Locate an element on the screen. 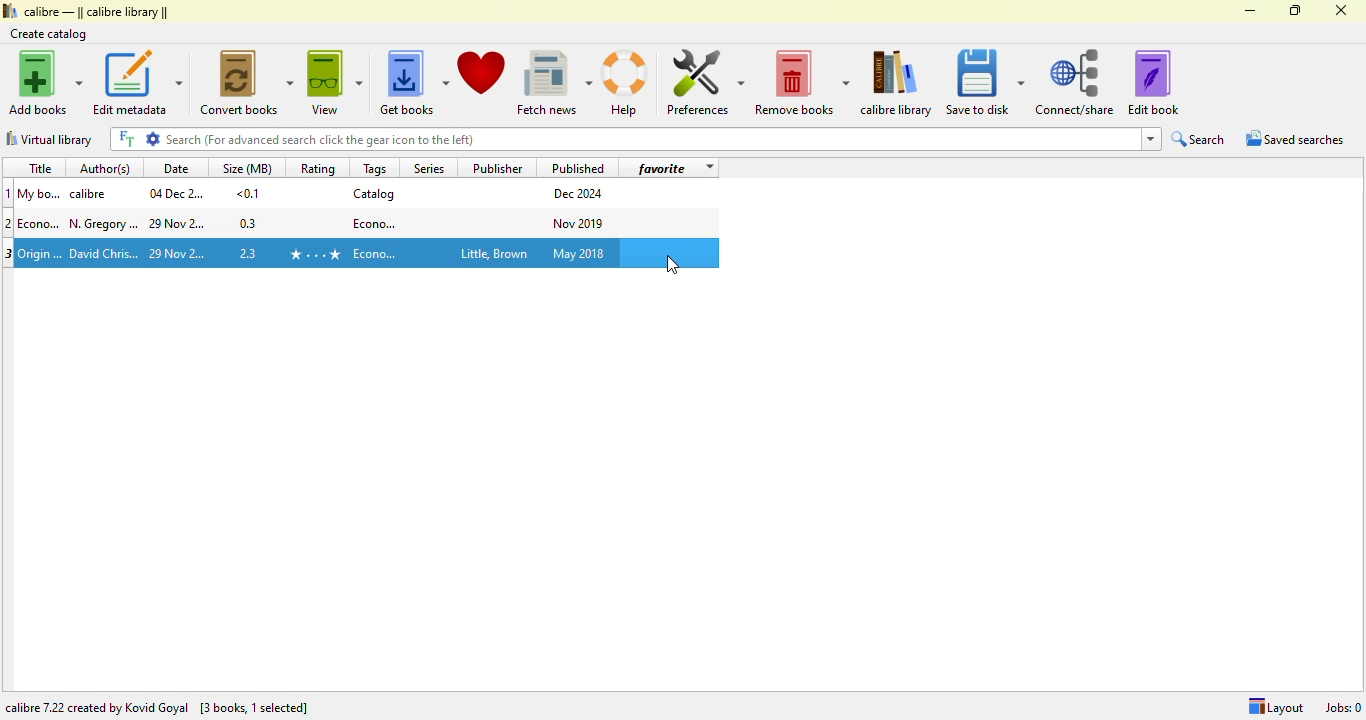  saved searches is located at coordinates (1295, 138).